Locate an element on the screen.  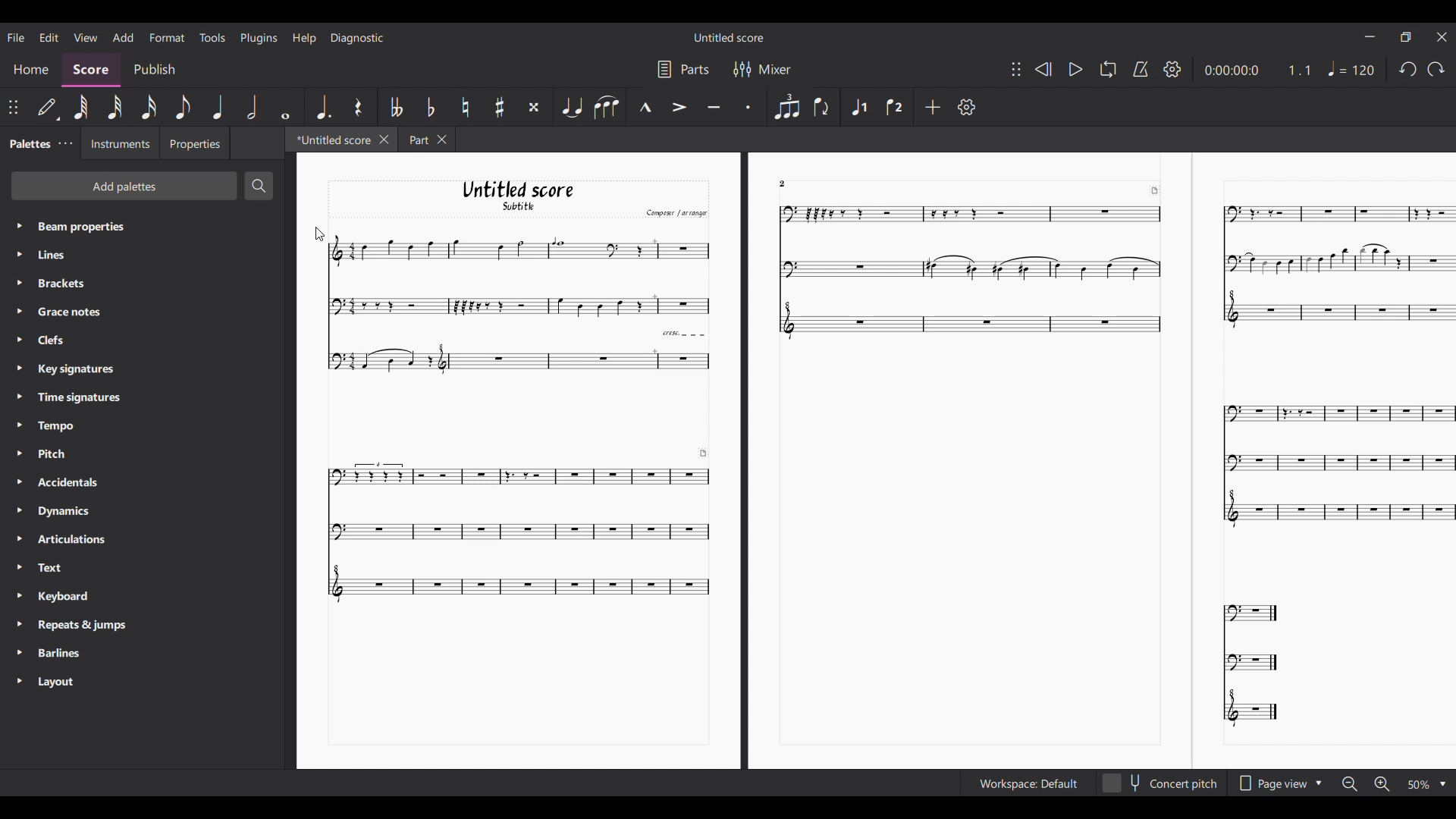
Accidentals is located at coordinates (71, 482).